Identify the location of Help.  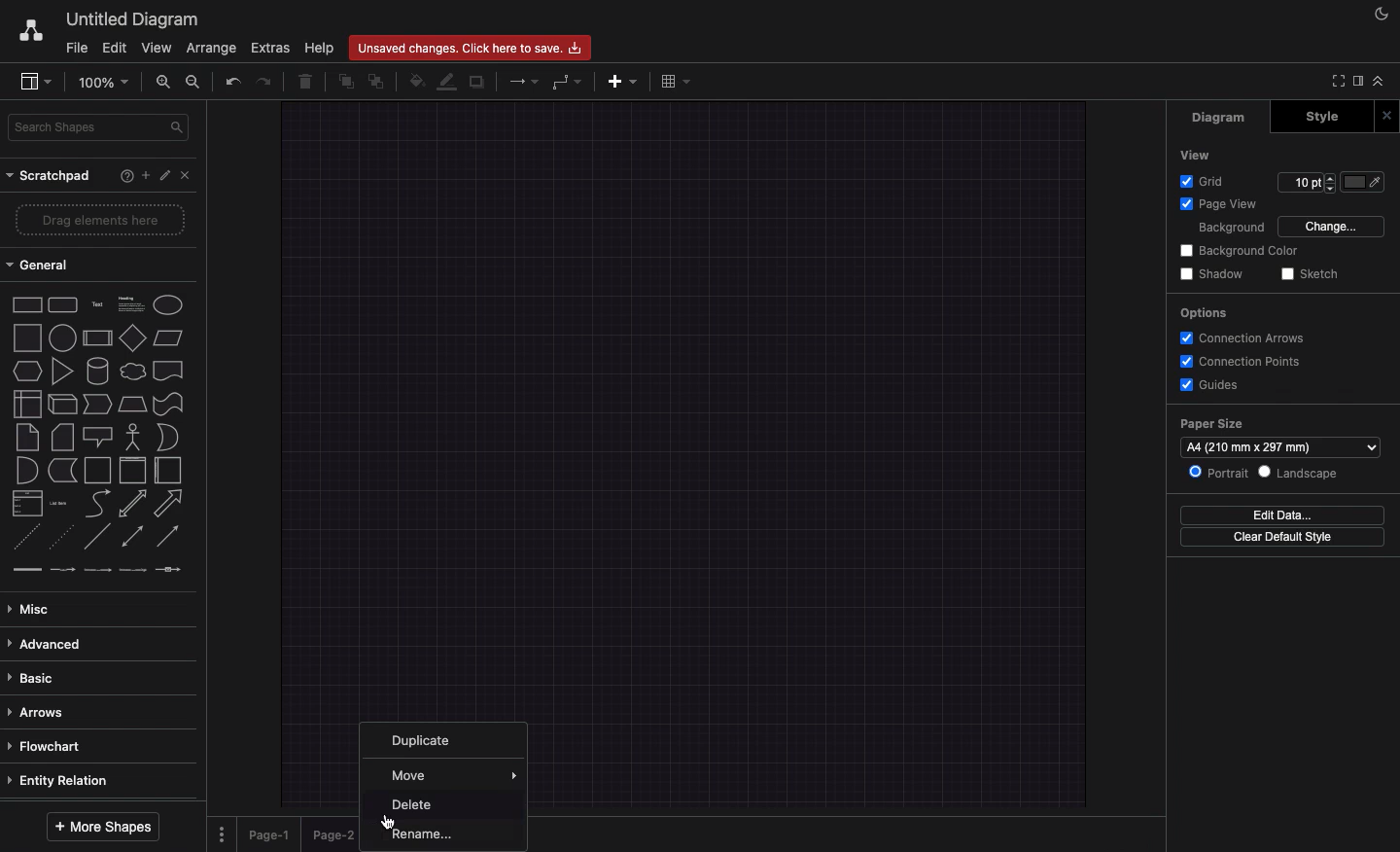
(319, 47).